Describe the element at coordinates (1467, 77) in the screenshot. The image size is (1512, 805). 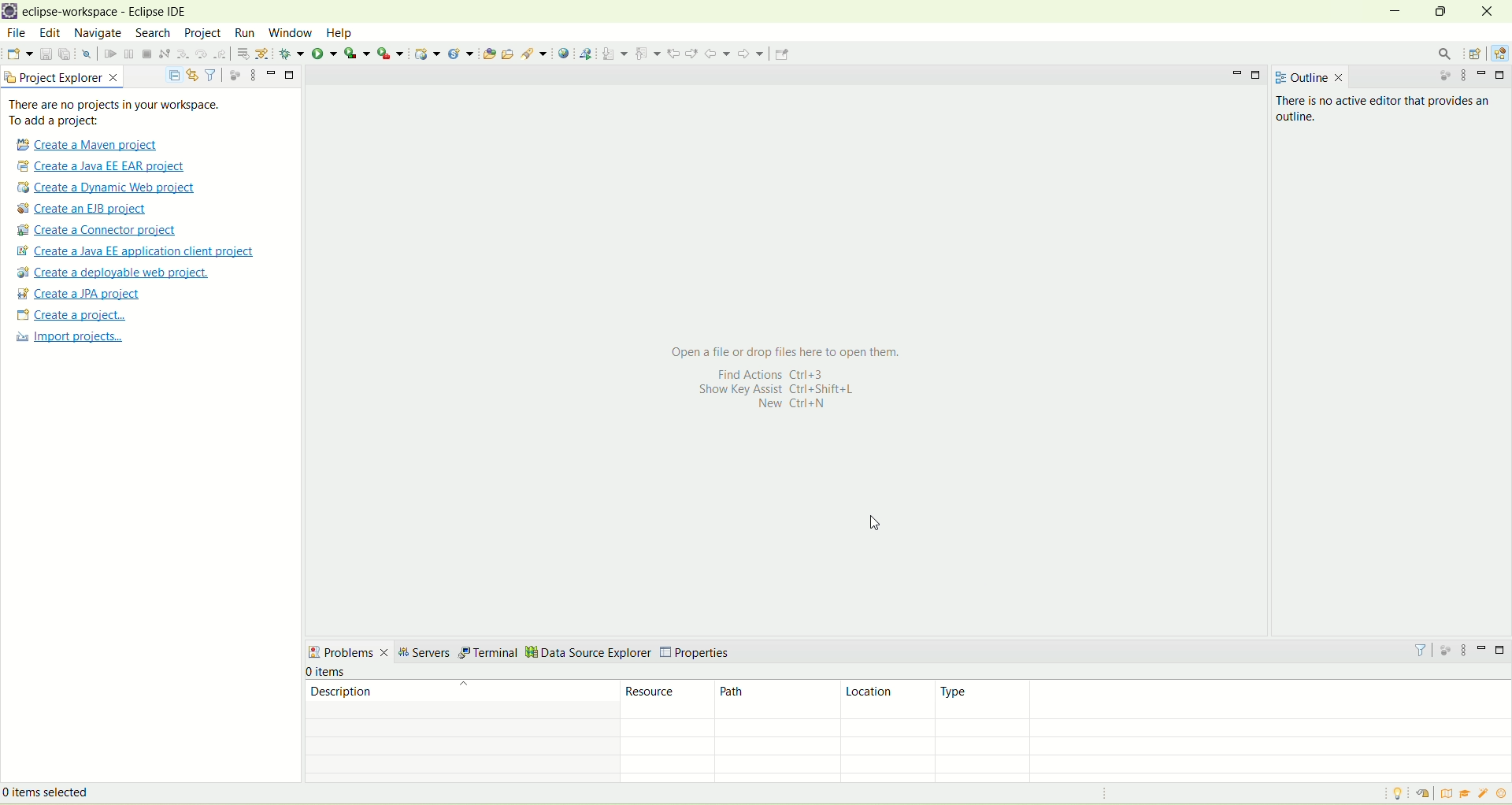
I see `view menu` at that location.